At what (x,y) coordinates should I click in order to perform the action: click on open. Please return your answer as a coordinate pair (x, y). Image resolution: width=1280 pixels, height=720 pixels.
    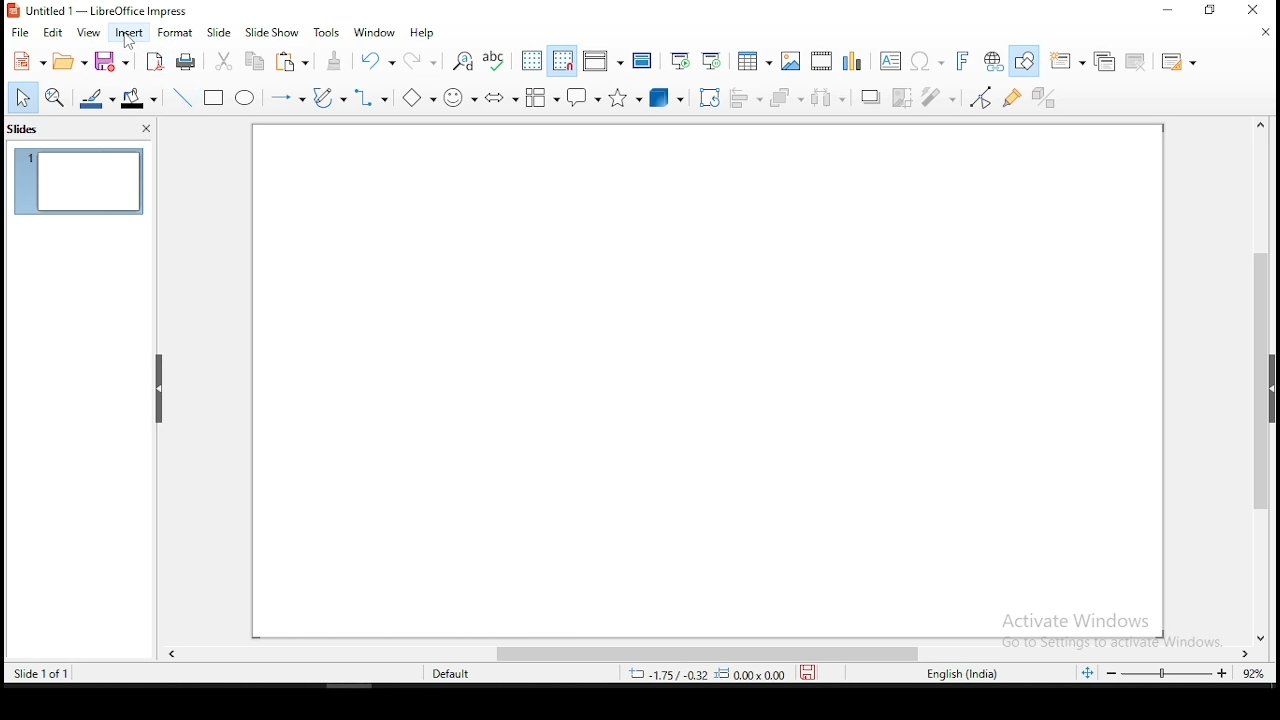
    Looking at the image, I should click on (73, 61).